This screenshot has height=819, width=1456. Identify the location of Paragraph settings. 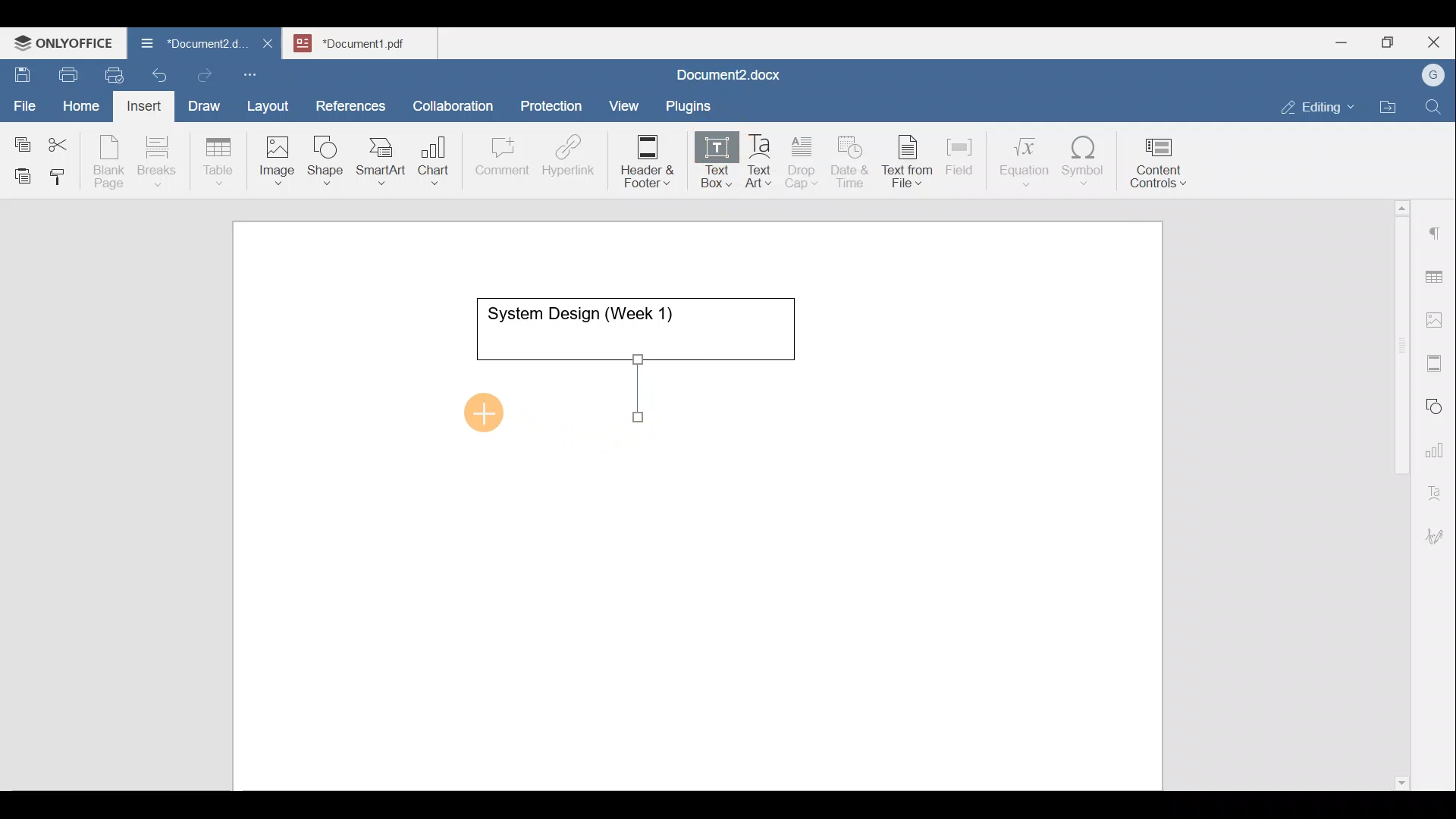
(1436, 227).